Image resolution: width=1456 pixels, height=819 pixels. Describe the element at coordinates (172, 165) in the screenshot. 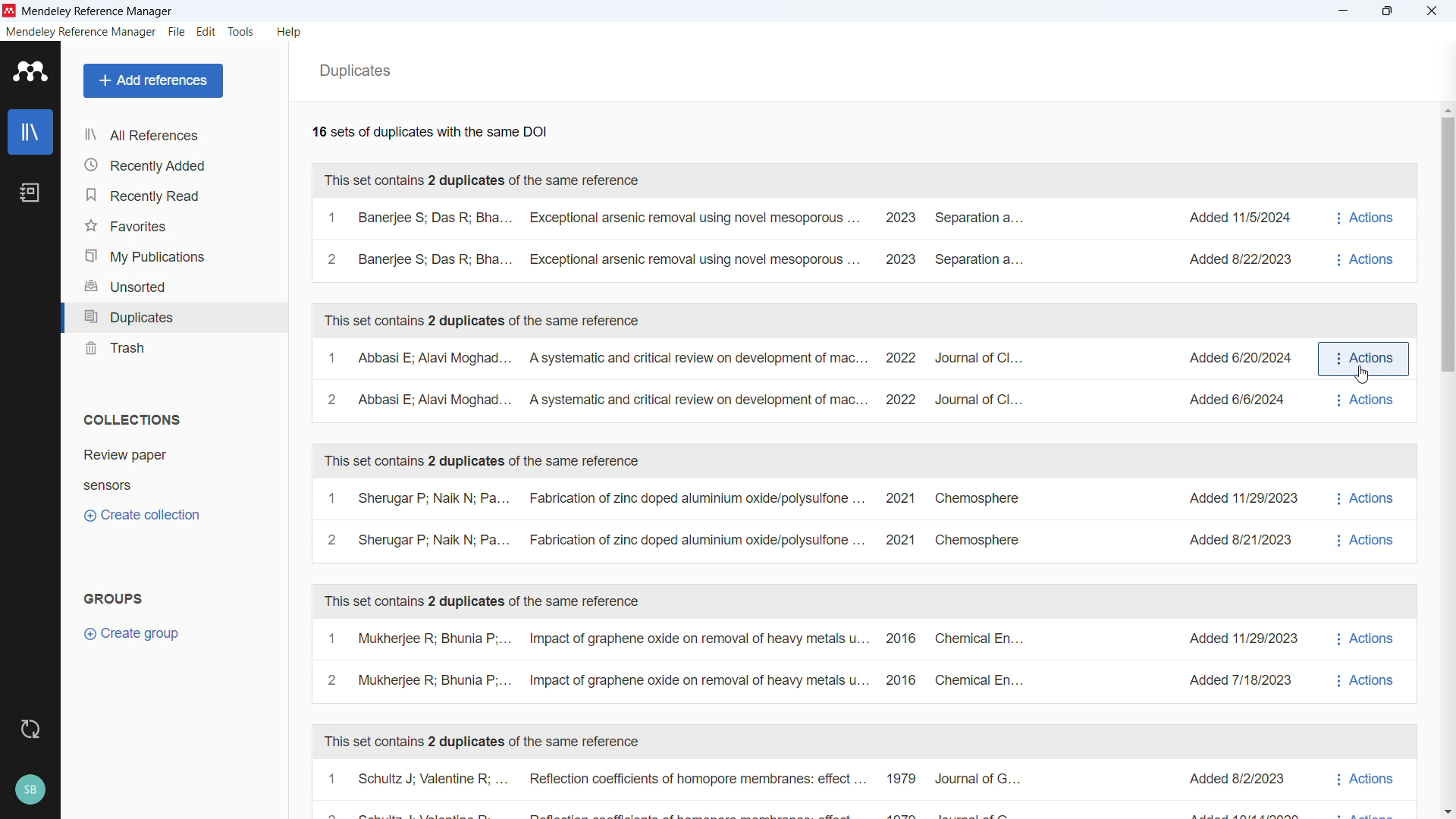

I see `recently added ` at that location.